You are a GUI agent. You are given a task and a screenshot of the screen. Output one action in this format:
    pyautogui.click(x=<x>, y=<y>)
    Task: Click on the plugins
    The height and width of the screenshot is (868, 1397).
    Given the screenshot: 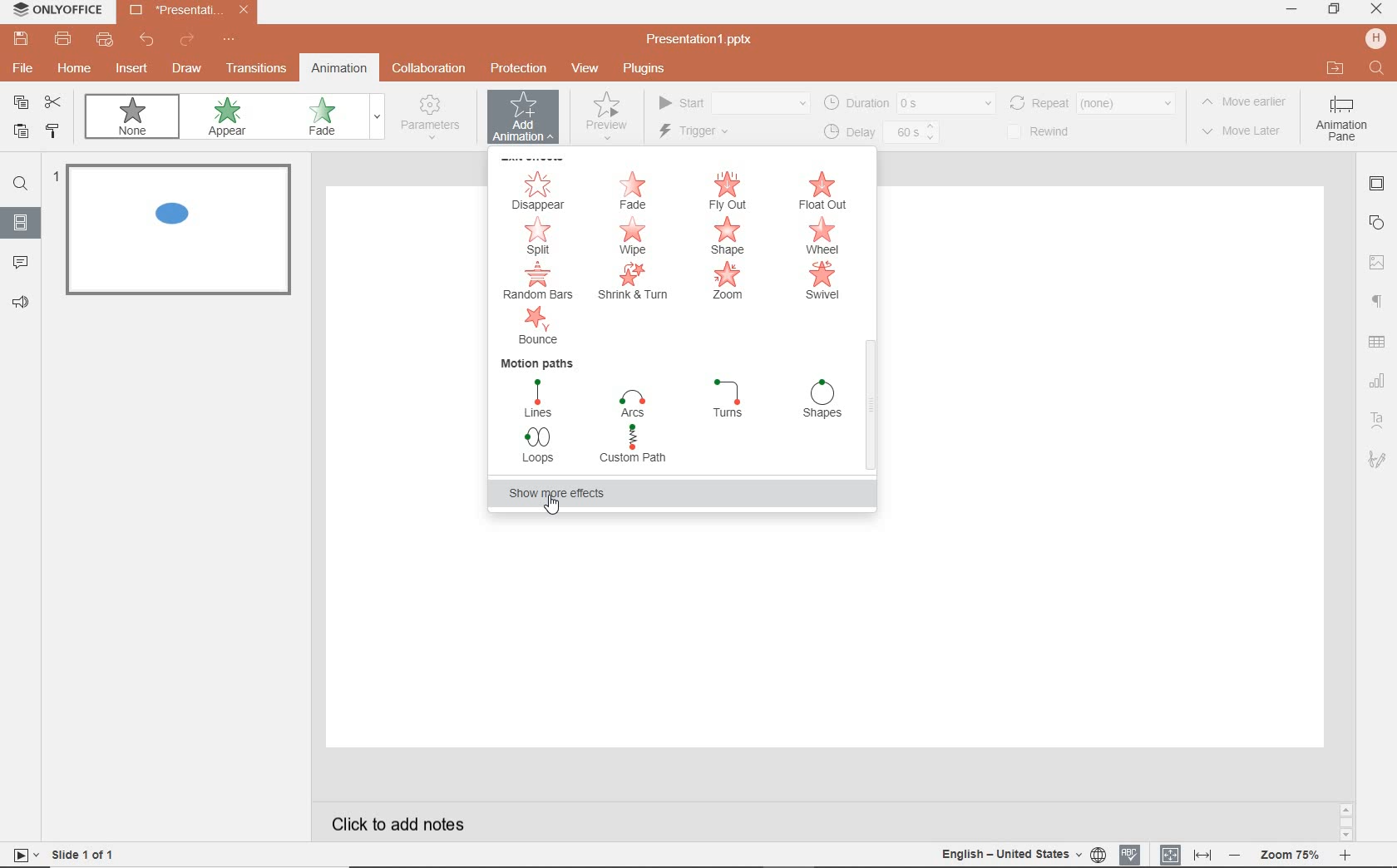 What is the action you would take?
    pyautogui.click(x=653, y=69)
    